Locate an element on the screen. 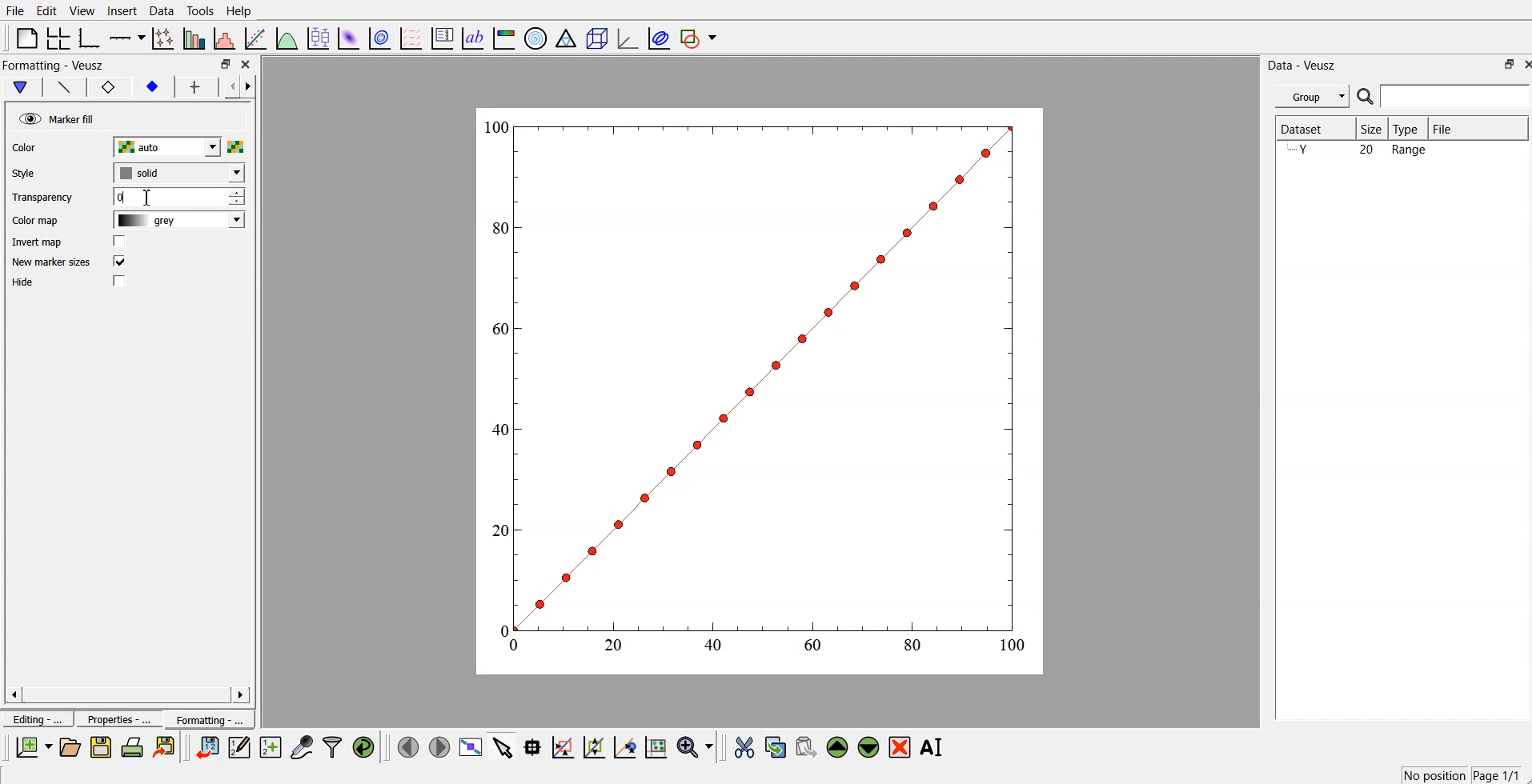  Open is located at coordinates (70, 746).